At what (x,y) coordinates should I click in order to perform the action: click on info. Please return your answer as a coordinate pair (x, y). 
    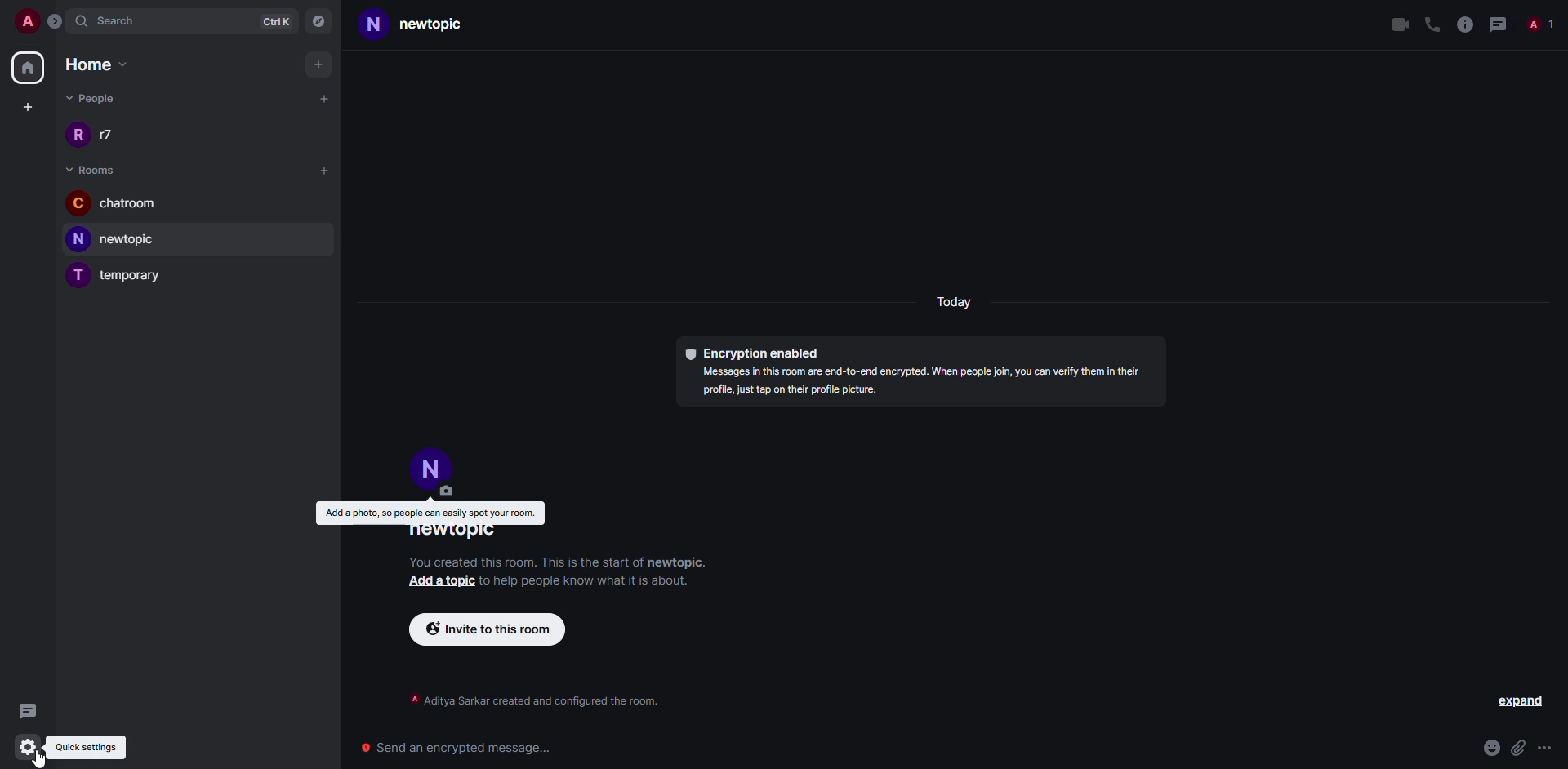
    Looking at the image, I should click on (586, 580).